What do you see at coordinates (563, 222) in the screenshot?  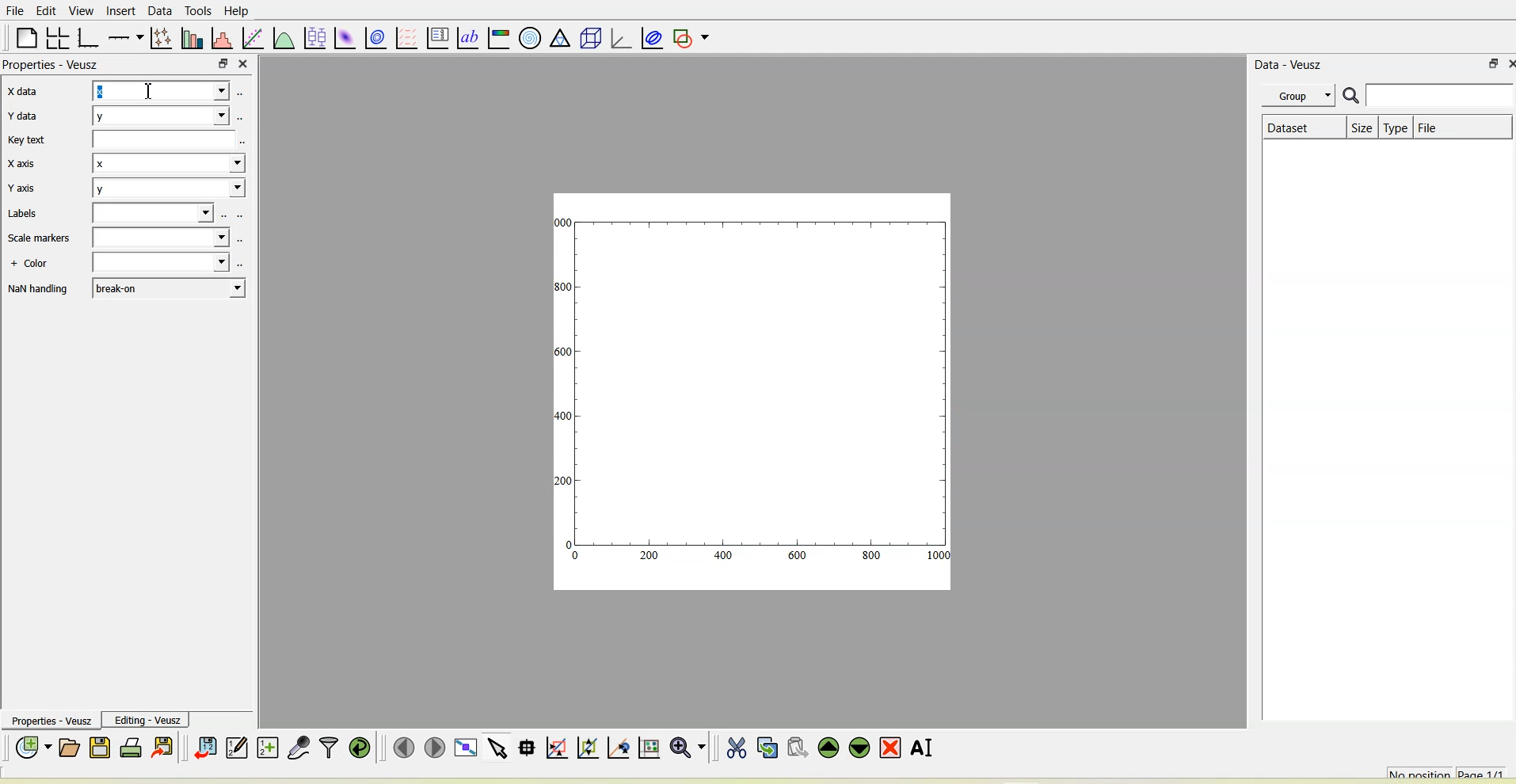 I see `1000` at bounding box center [563, 222].